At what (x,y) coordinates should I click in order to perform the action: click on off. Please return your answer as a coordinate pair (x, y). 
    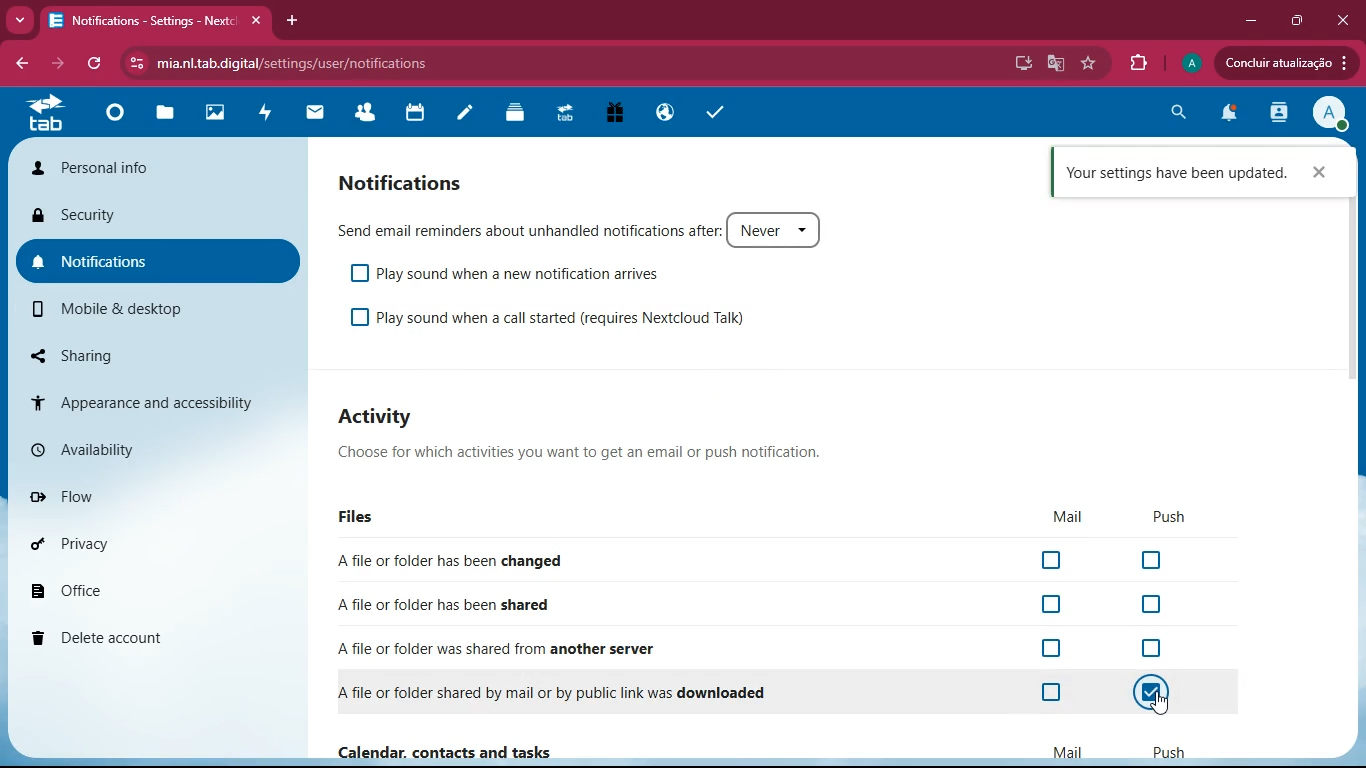
    Looking at the image, I should click on (1153, 648).